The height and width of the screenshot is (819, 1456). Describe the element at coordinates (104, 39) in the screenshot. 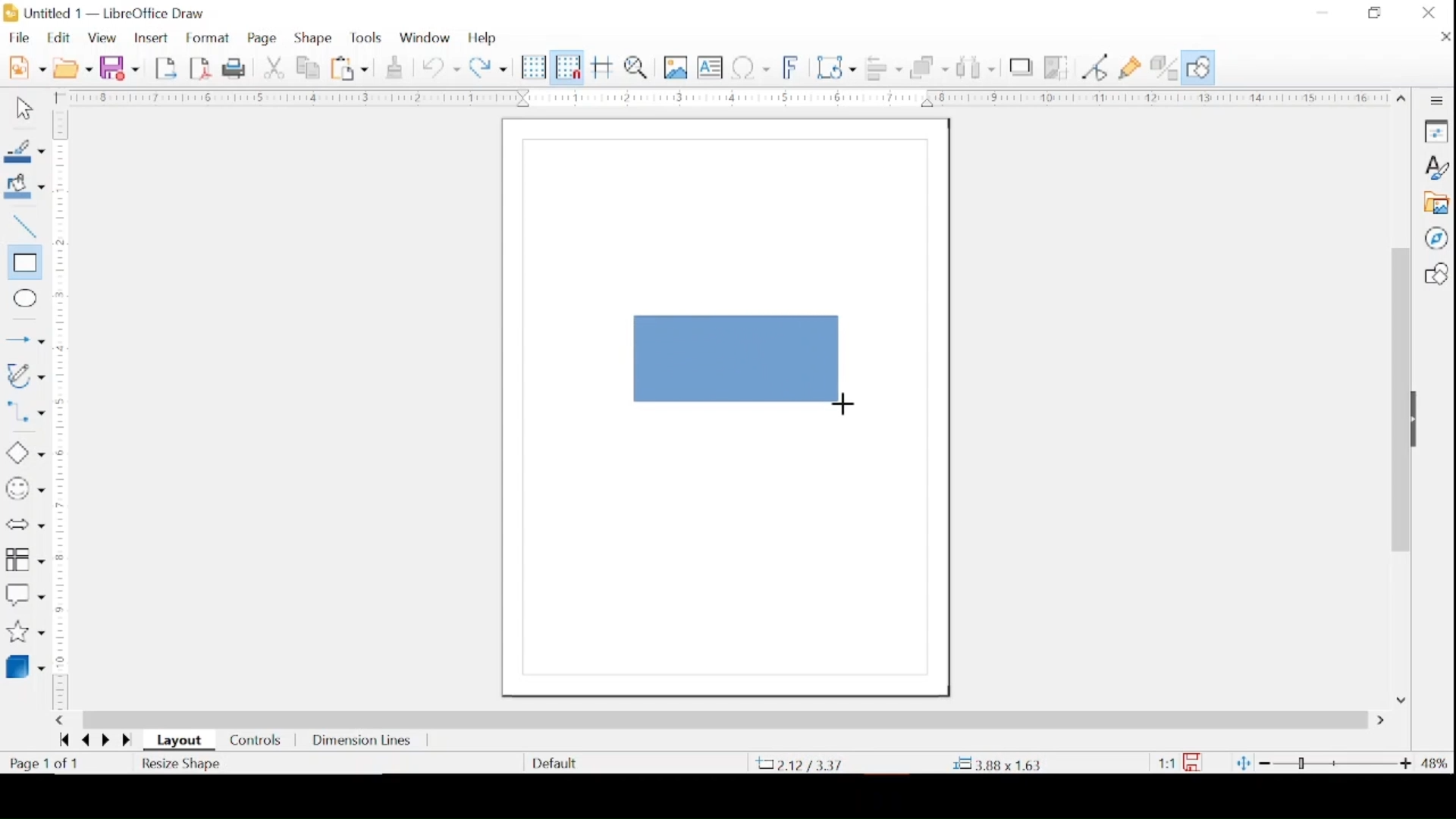

I see `view` at that location.